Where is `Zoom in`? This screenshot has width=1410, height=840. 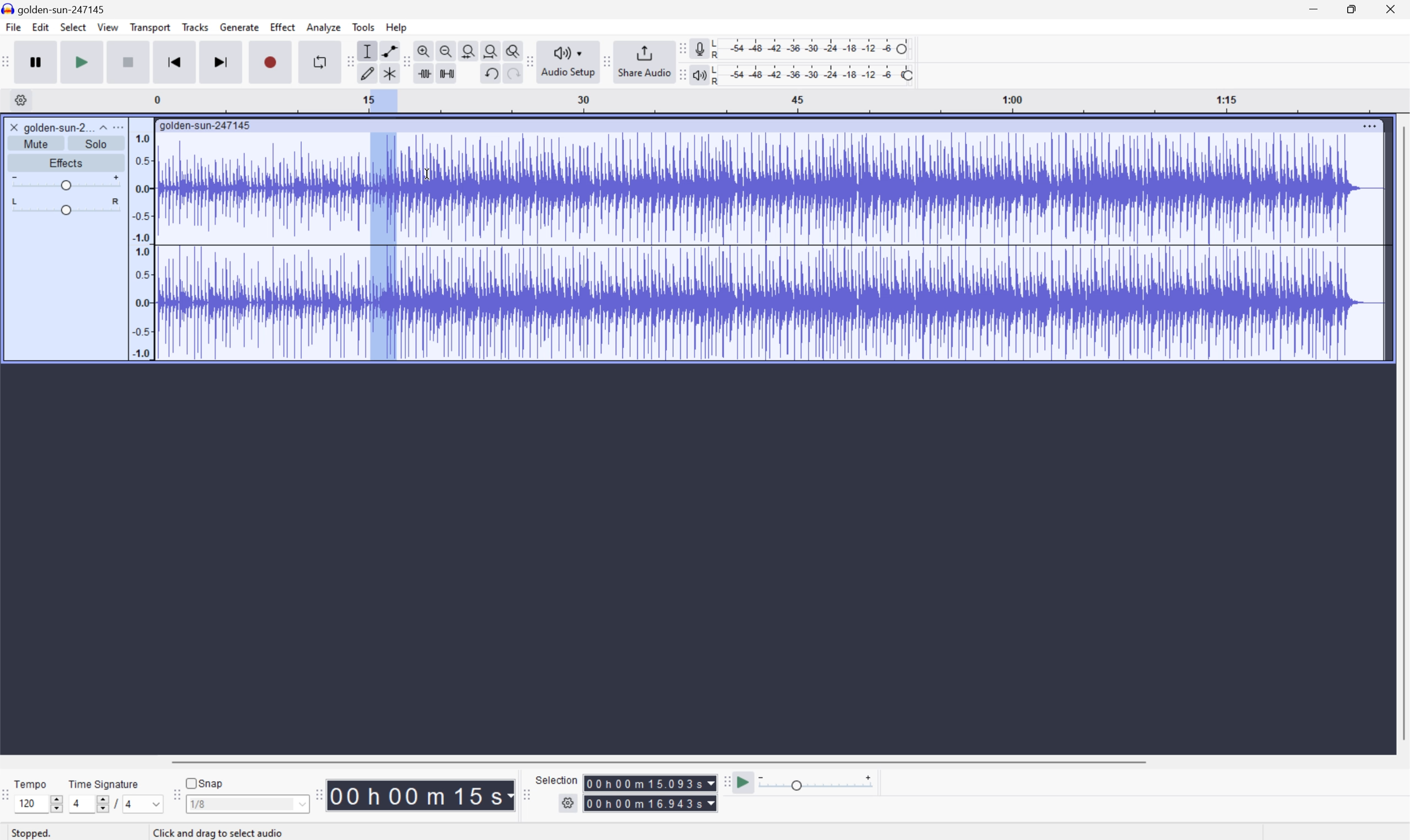 Zoom in is located at coordinates (423, 51).